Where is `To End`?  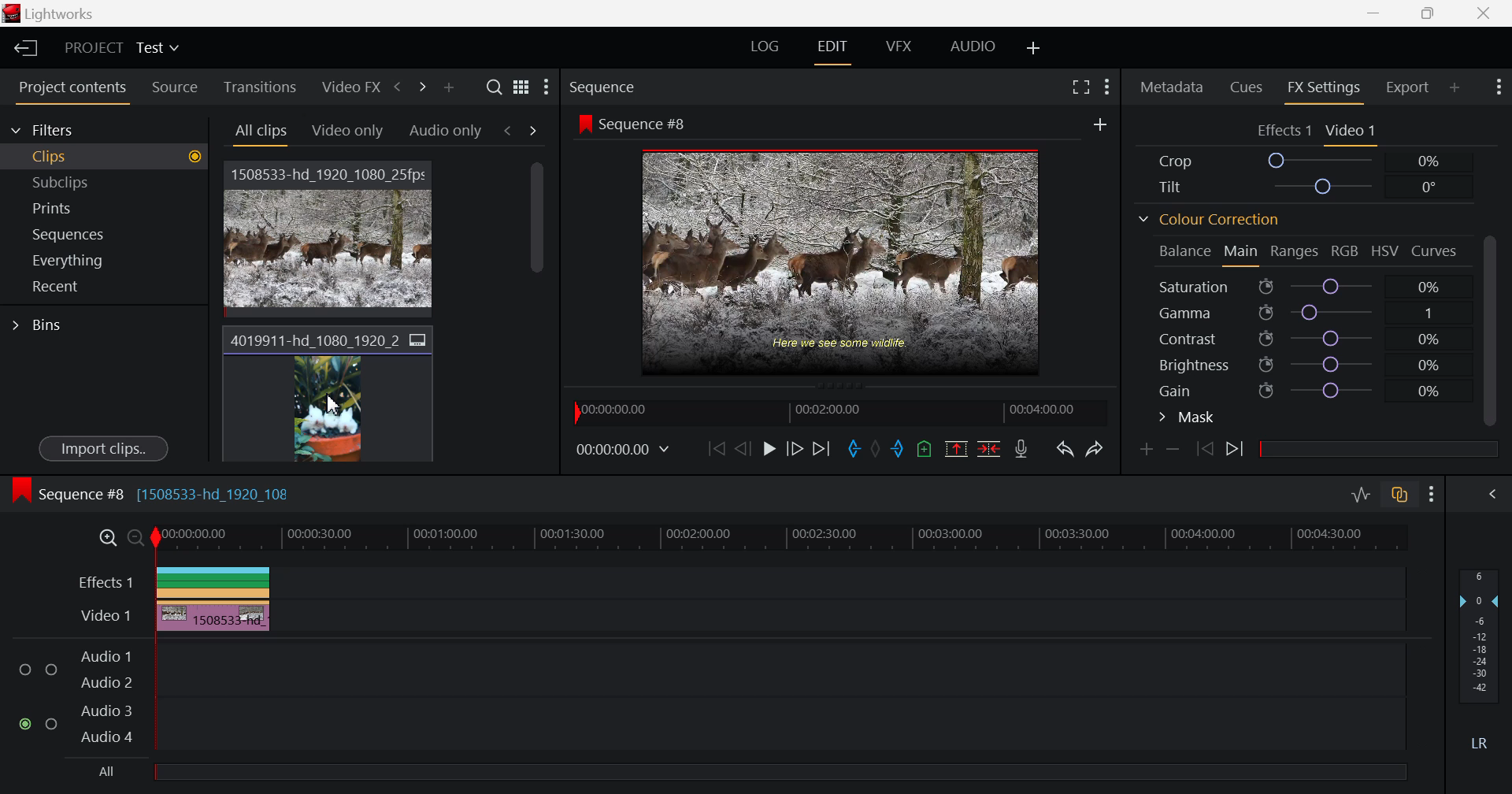 To End is located at coordinates (824, 449).